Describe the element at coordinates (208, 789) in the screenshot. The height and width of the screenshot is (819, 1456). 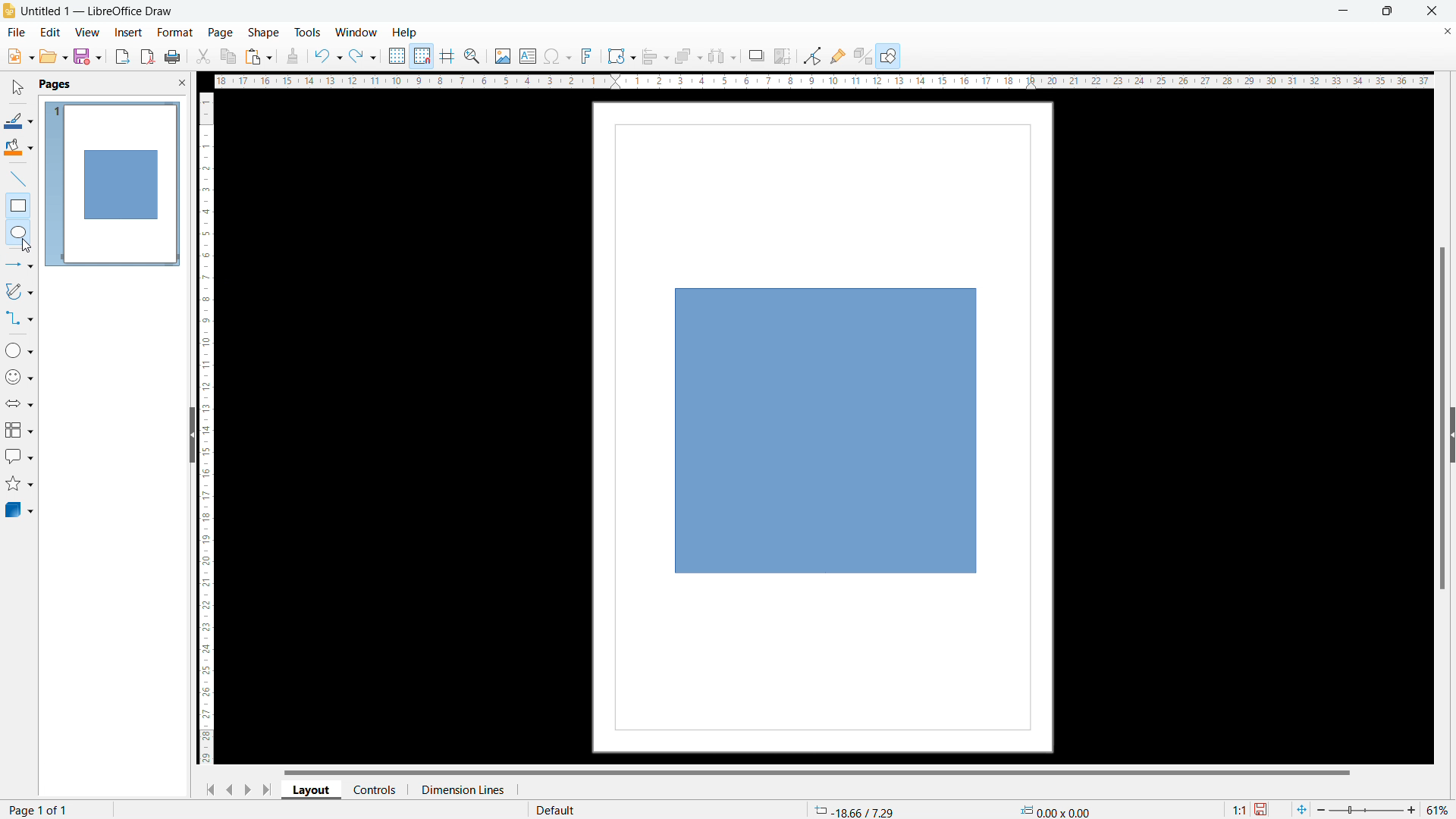
I see `go to first page` at that location.